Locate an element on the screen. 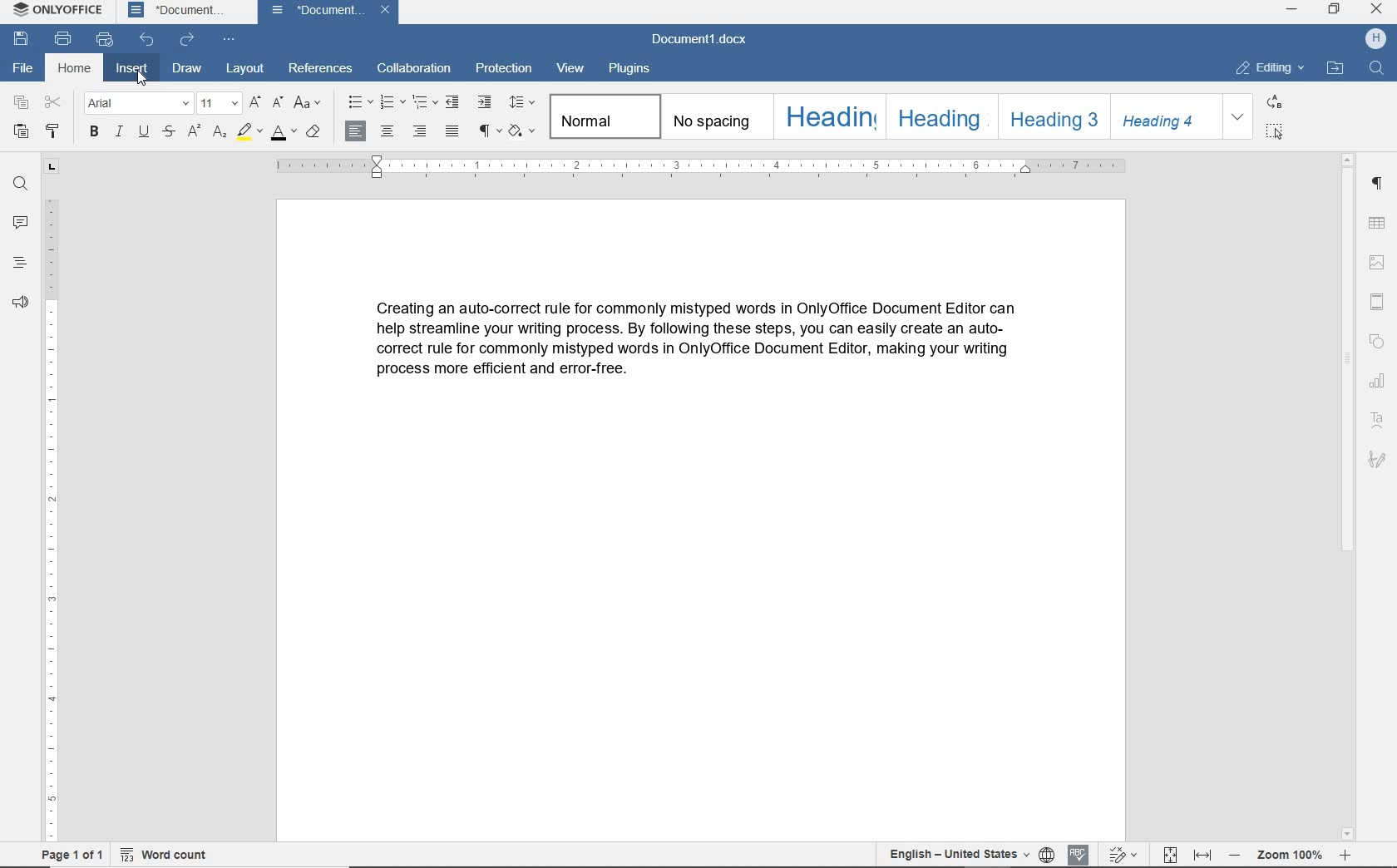  find is located at coordinates (1376, 69).